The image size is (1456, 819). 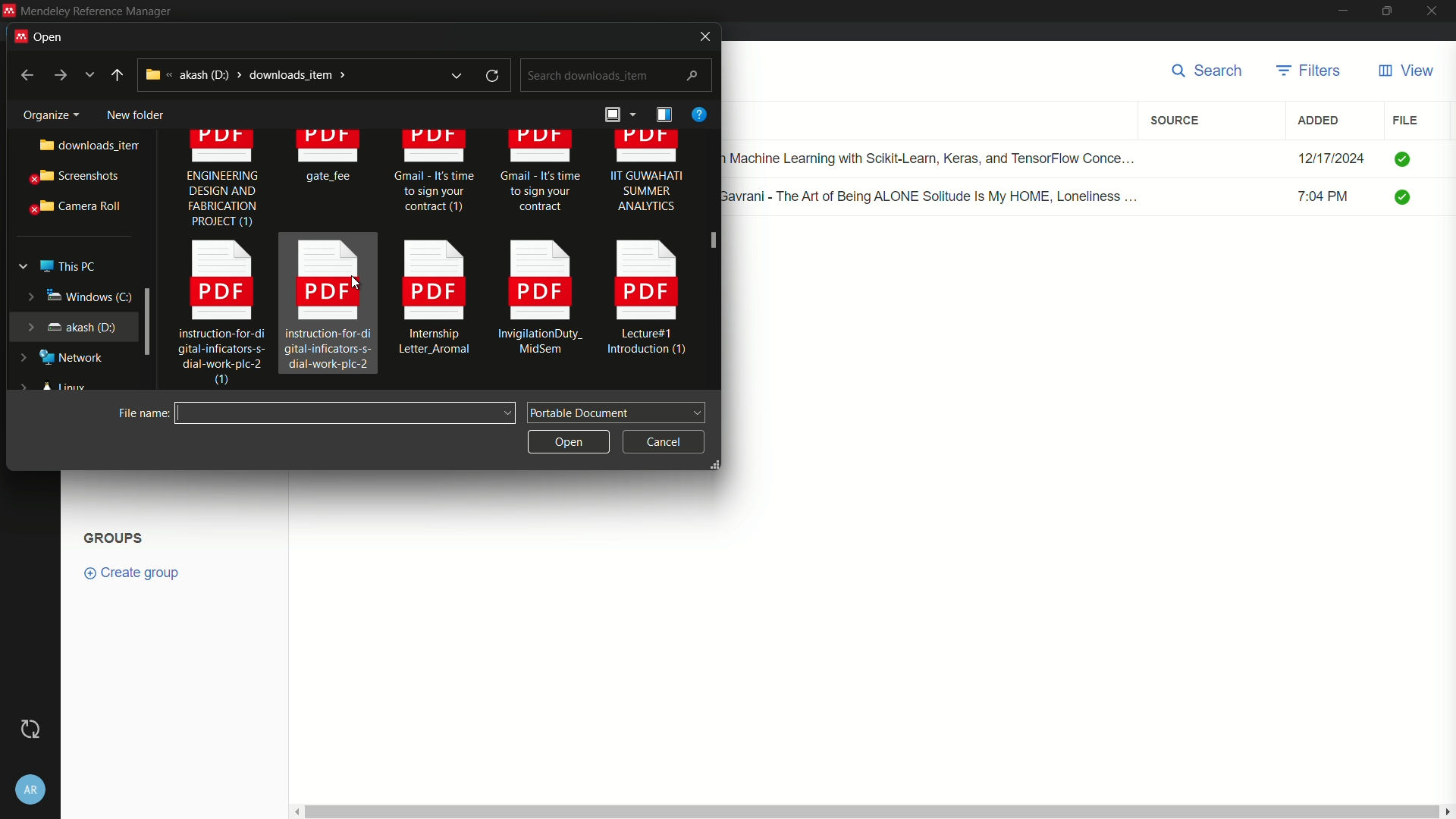 What do you see at coordinates (214, 315) in the screenshot?
I see `instruction-for-di
gital-inficators-s-
dial-work-plc-2
0)` at bounding box center [214, 315].